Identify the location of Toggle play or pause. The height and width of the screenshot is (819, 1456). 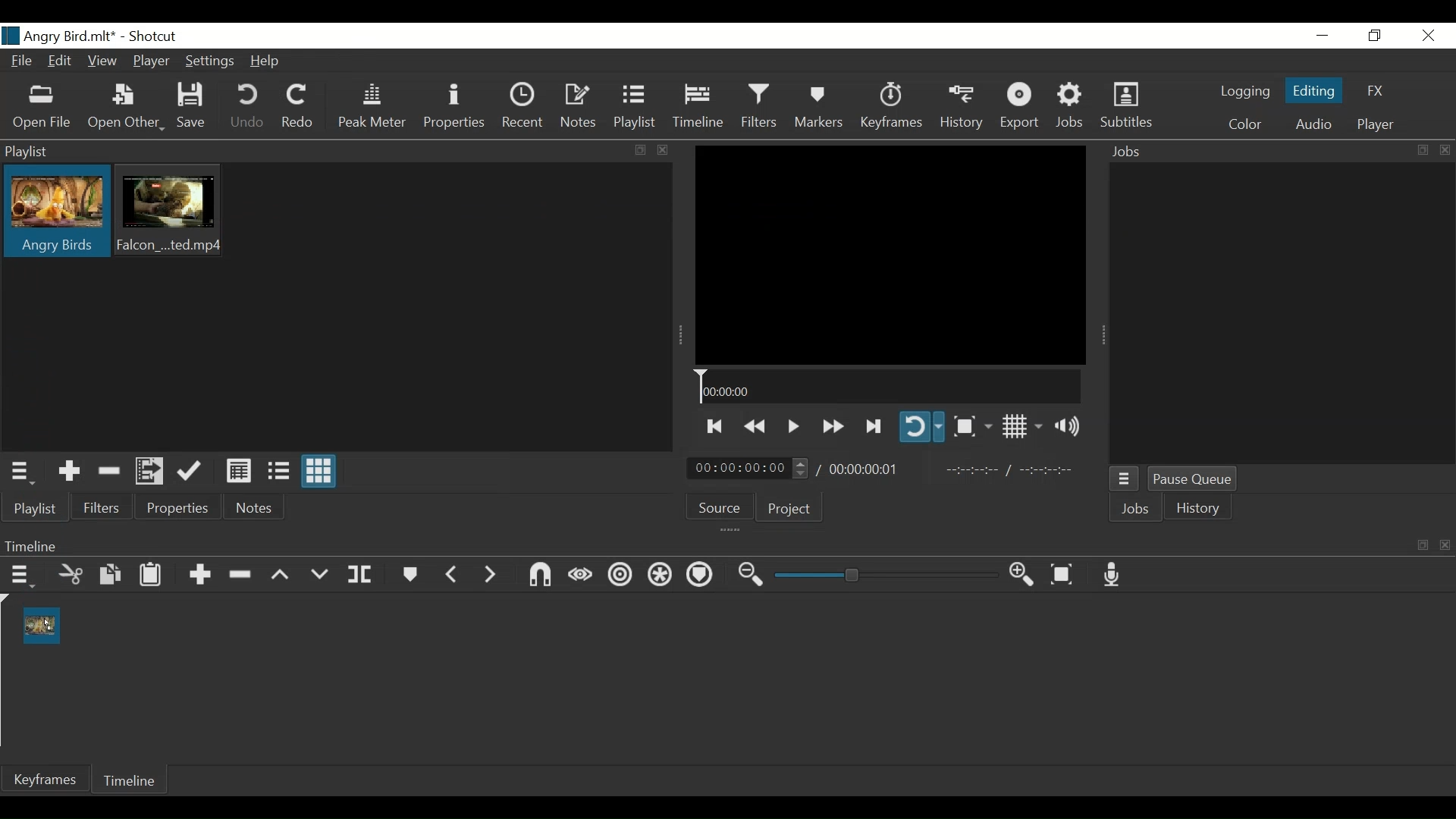
(794, 424).